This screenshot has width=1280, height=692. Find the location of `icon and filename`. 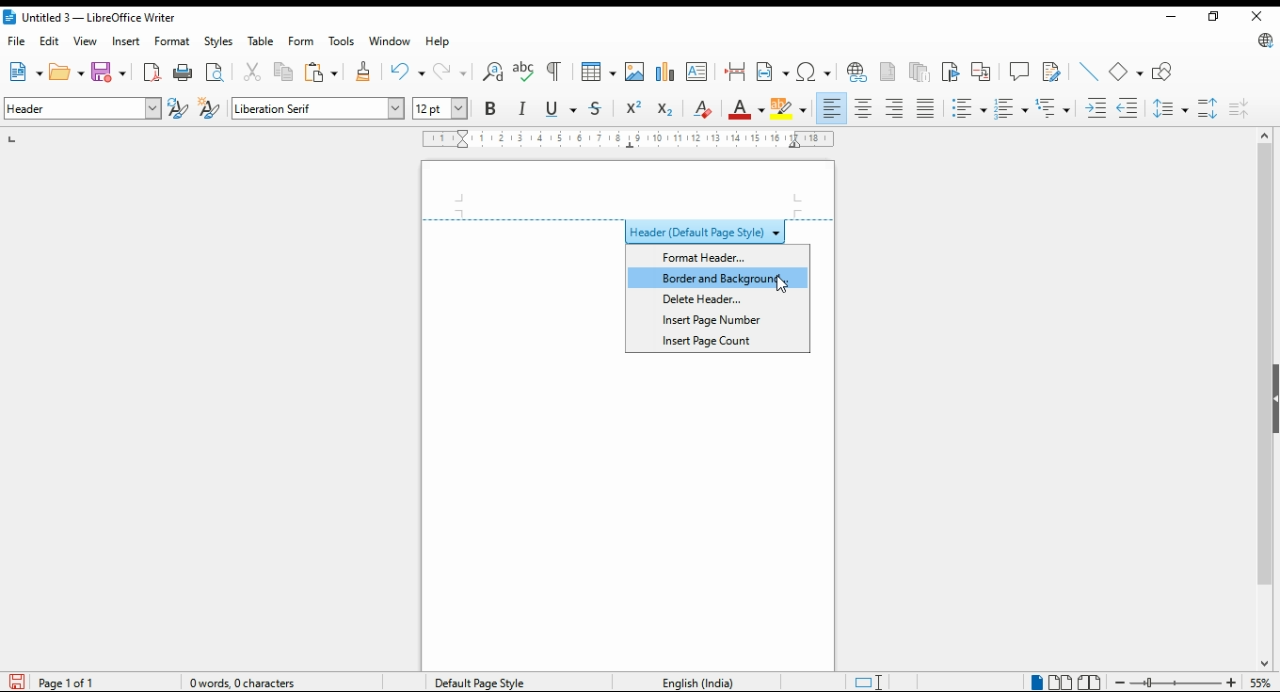

icon and filename is located at coordinates (91, 19).